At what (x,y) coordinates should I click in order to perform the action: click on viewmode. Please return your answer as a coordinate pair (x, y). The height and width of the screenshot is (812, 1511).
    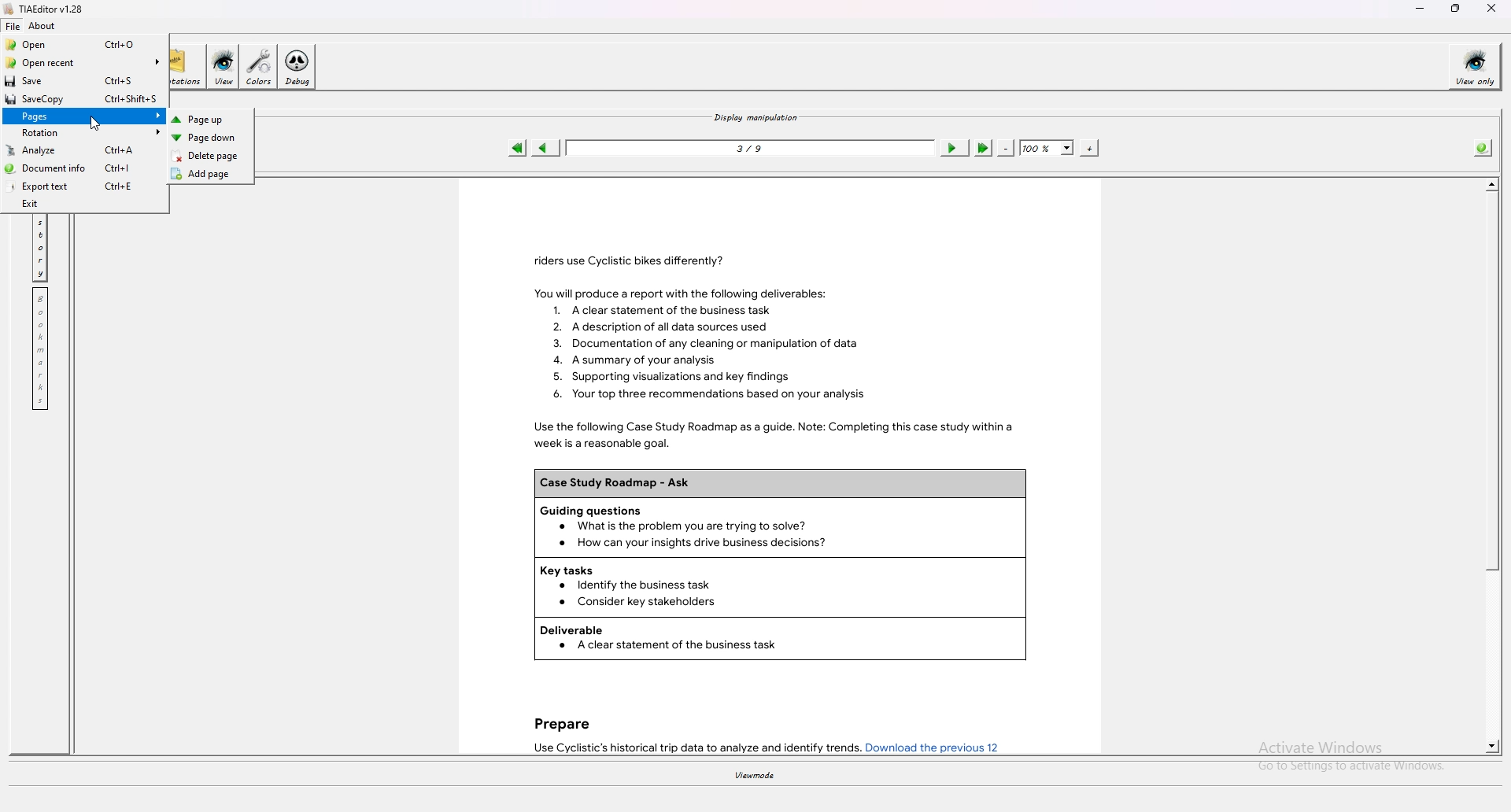
    Looking at the image, I should click on (754, 776).